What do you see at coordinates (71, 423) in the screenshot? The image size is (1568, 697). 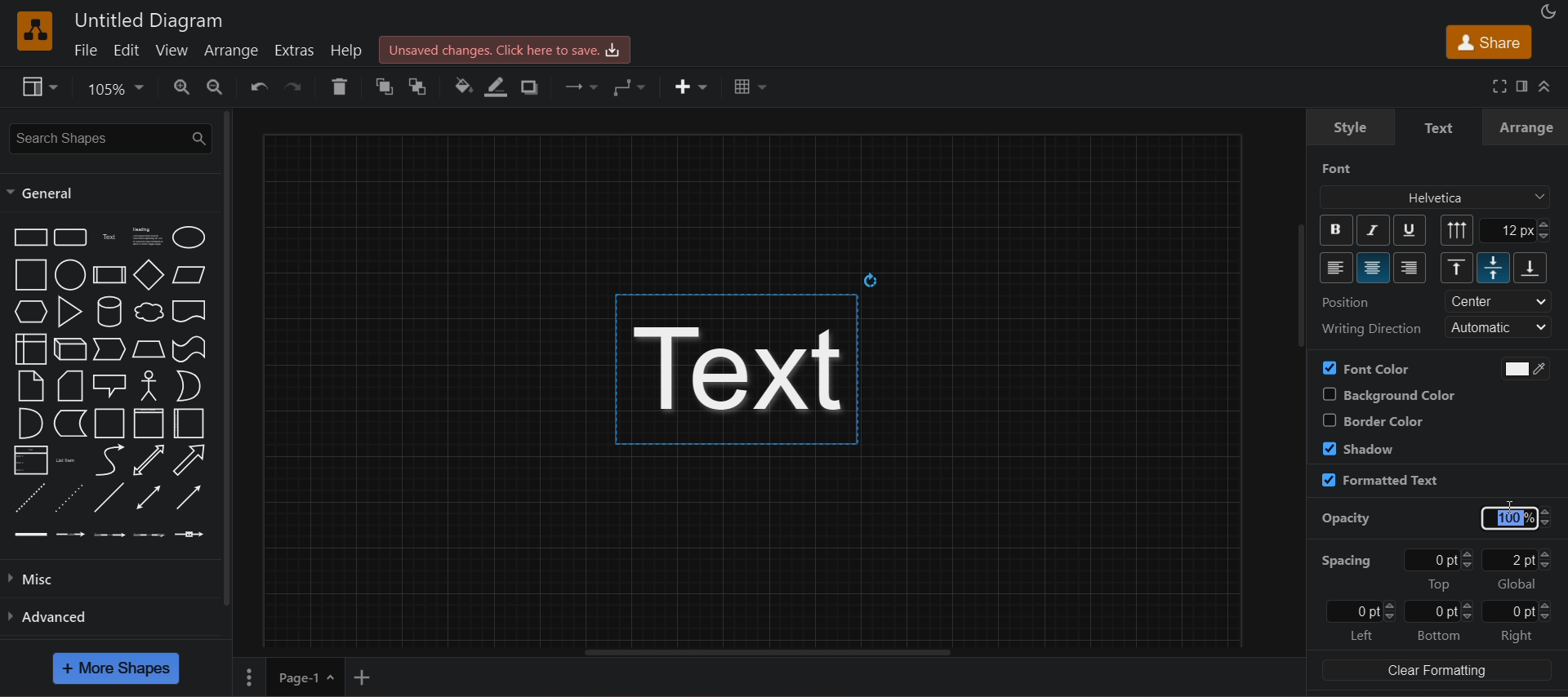 I see `data storage` at bounding box center [71, 423].